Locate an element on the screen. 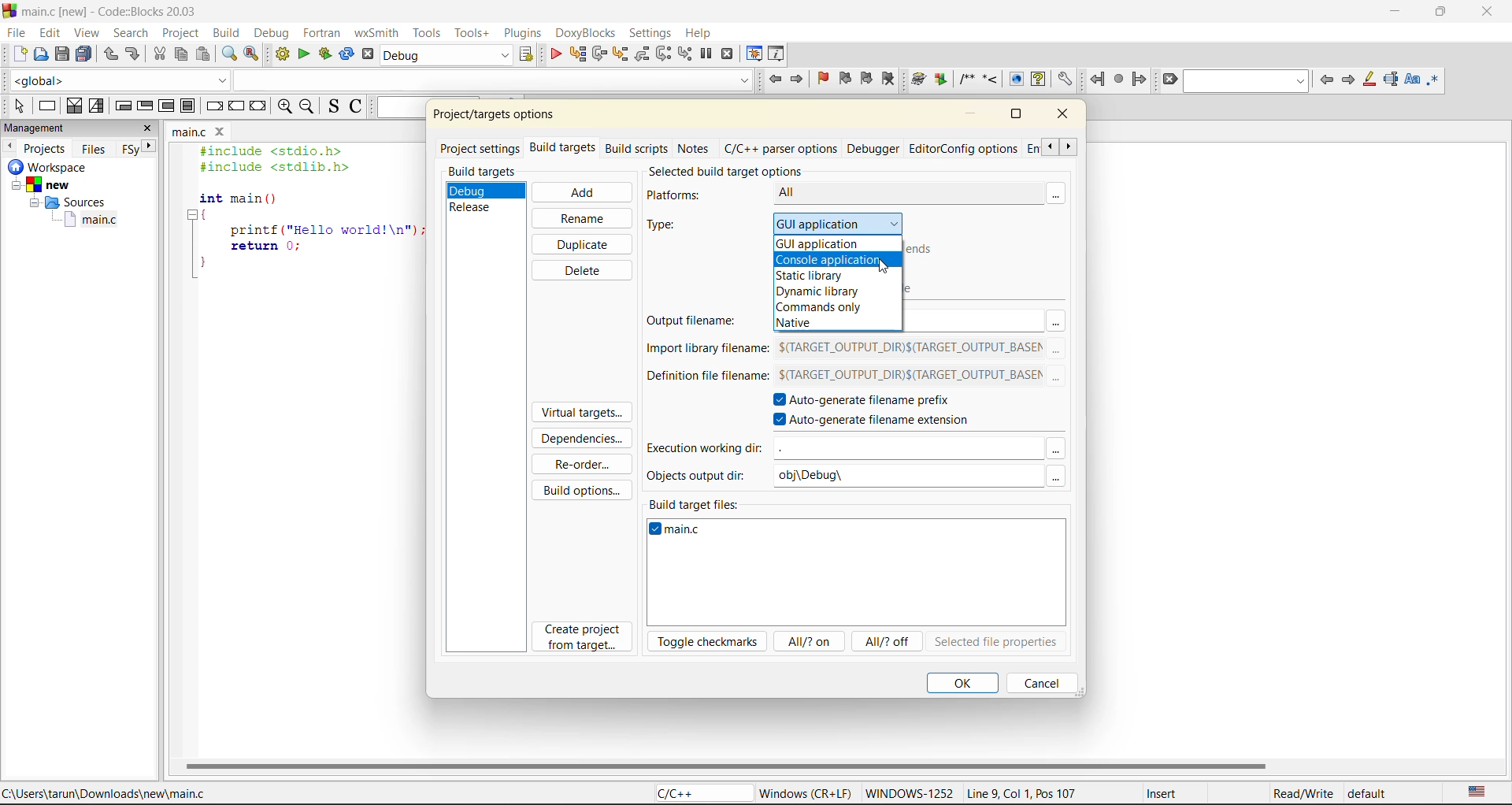 This screenshot has width=1512, height=805. clear is located at coordinates (1171, 80).